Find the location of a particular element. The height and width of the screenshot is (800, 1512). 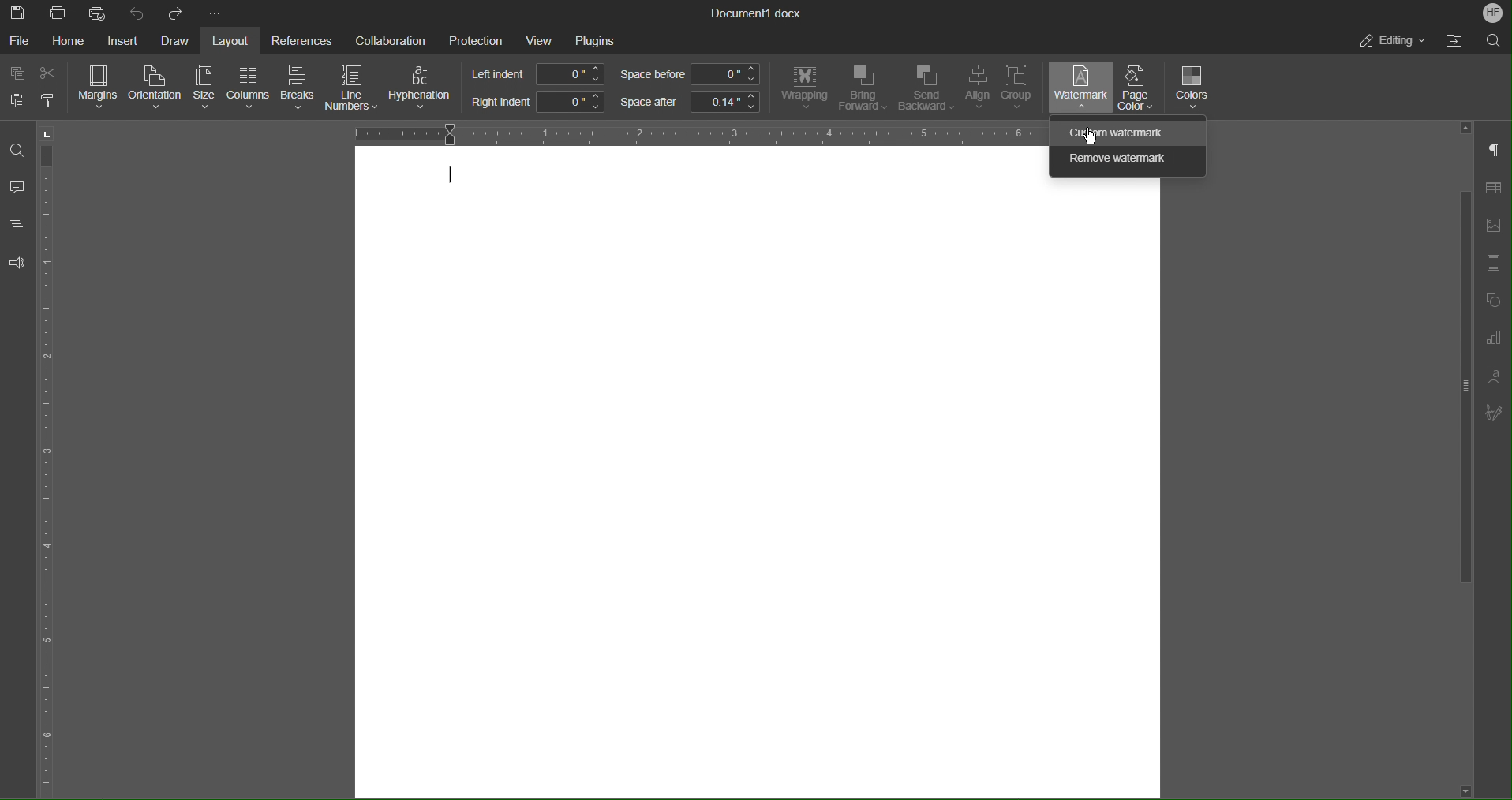

Protection is located at coordinates (476, 39).